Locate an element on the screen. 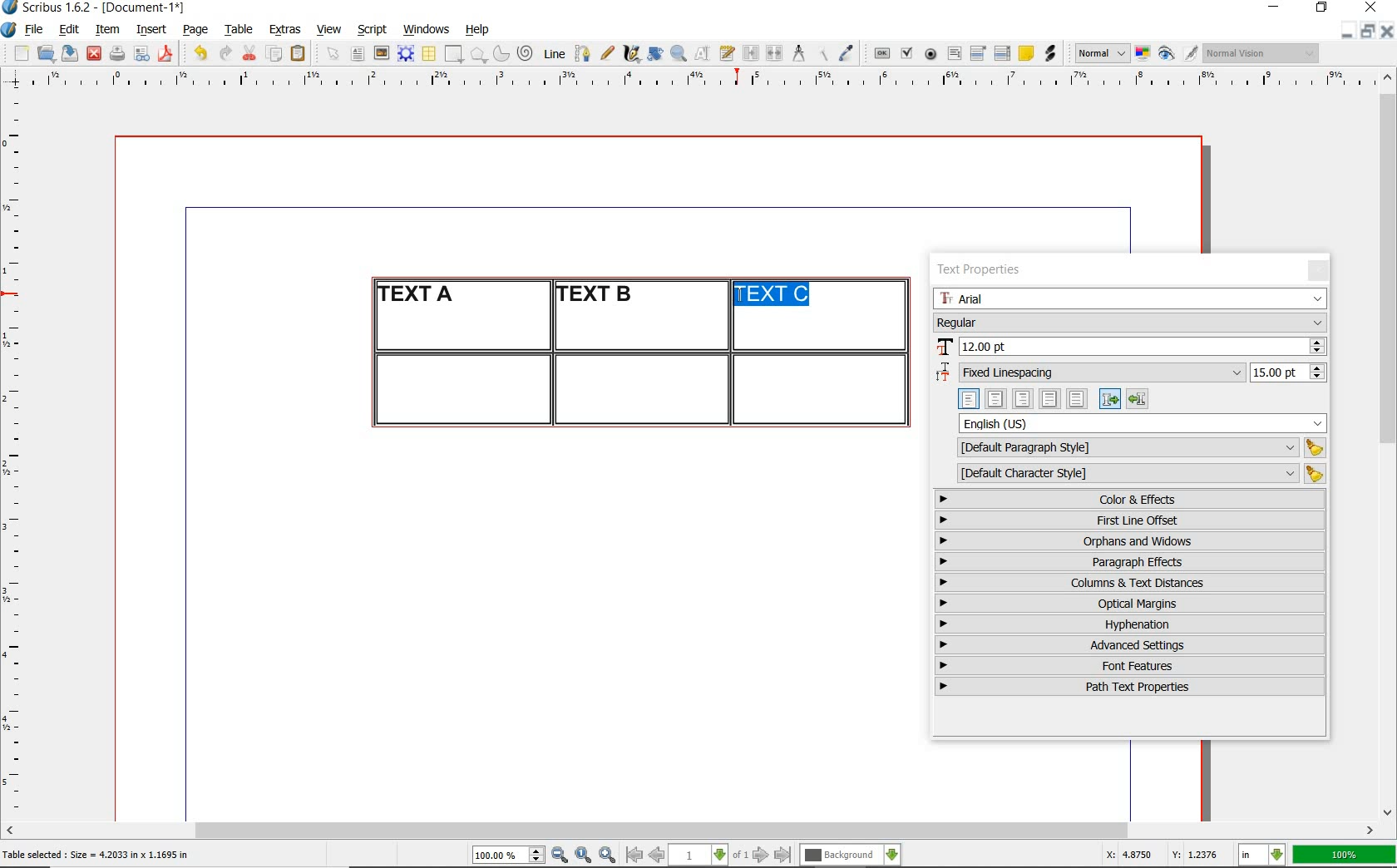 Image resolution: width=1397 pixels, height=868 pixels. paragraph effects is located at coordinates (1128, 561).